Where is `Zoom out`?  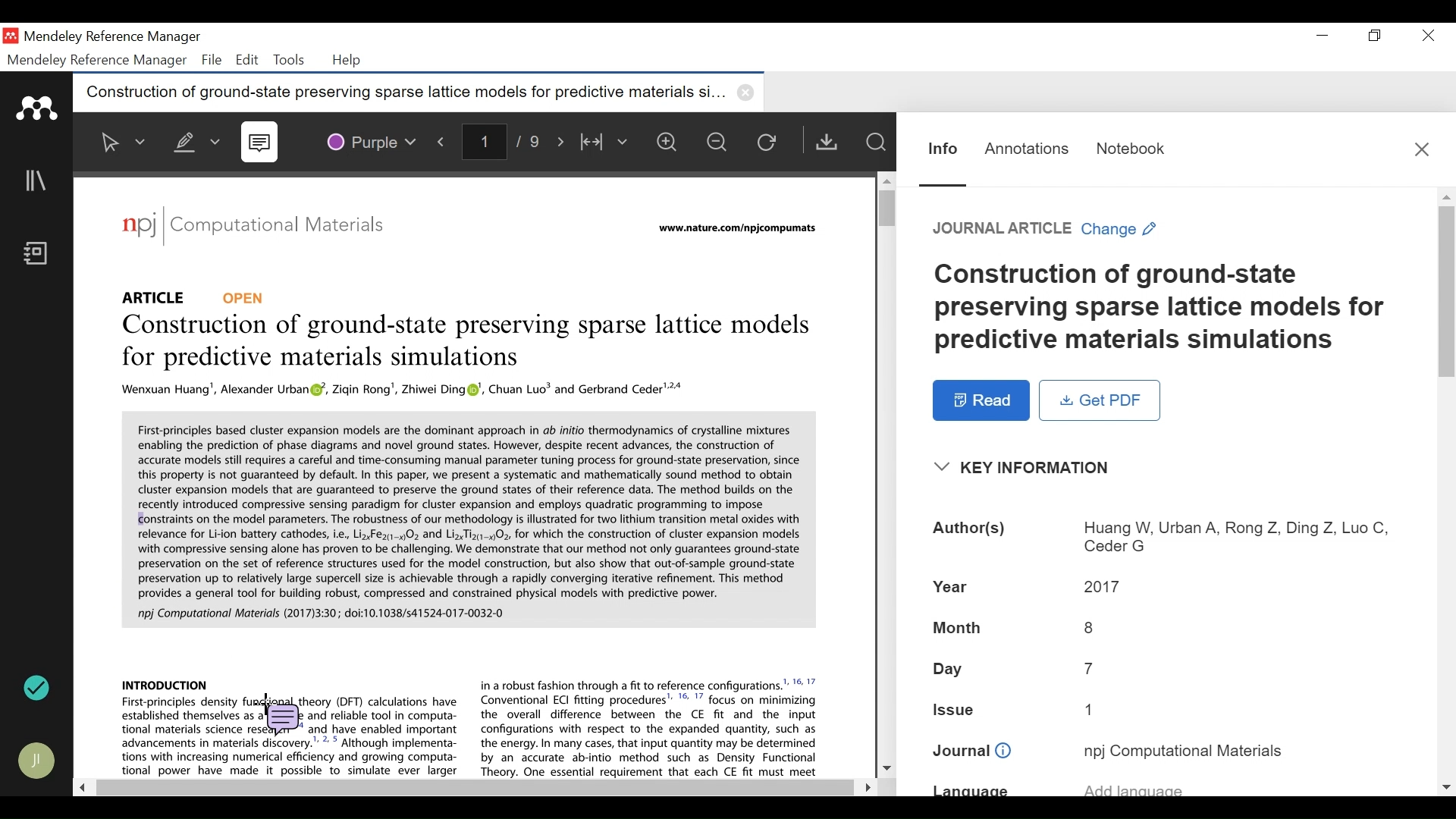 Zoom out is located at coordinates (723, 144).